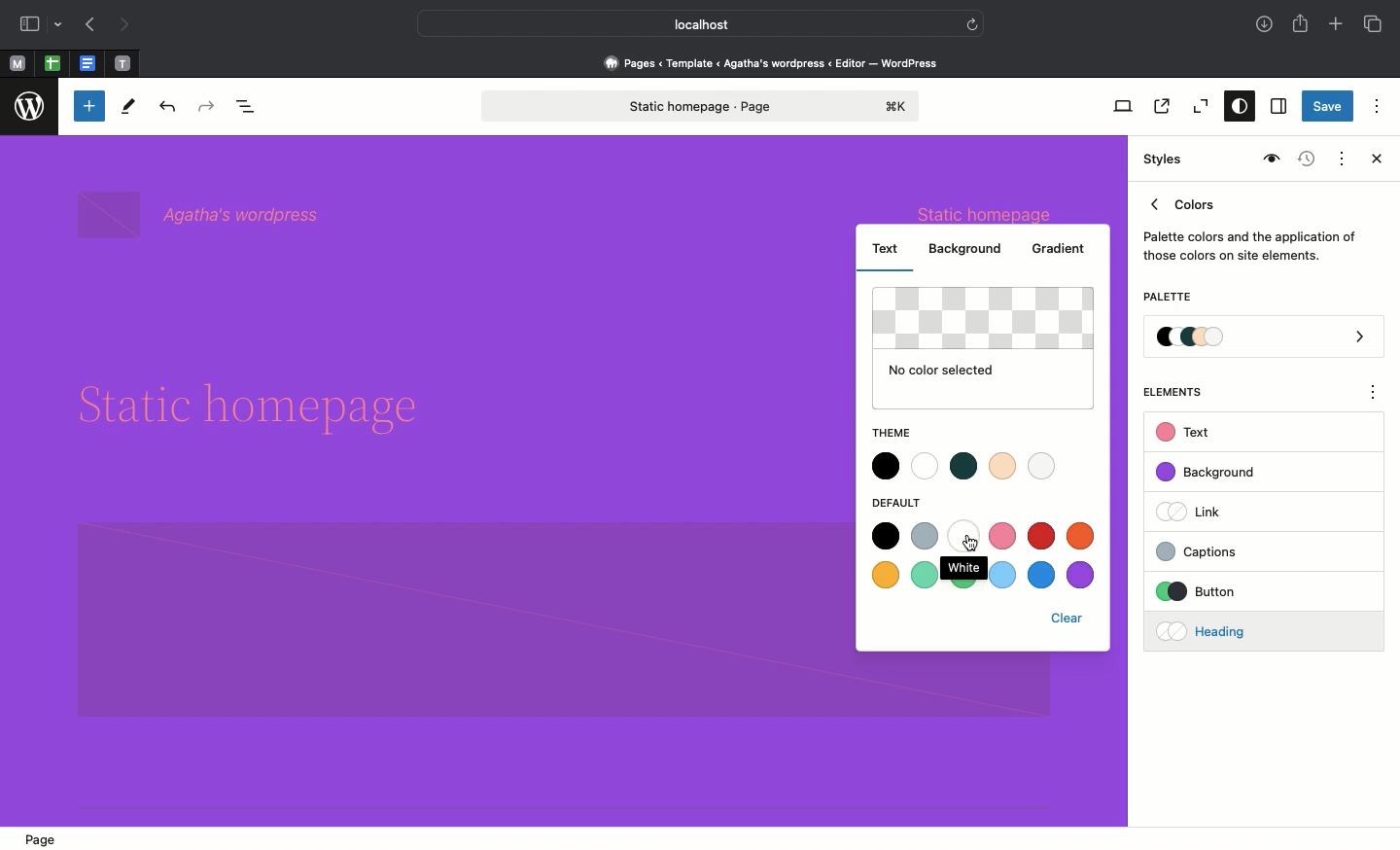 The height and width of the screenshot is (850, 1400). Describe the element at coordinates (1197, 511) in the screenshot. I see `Link` at that location.